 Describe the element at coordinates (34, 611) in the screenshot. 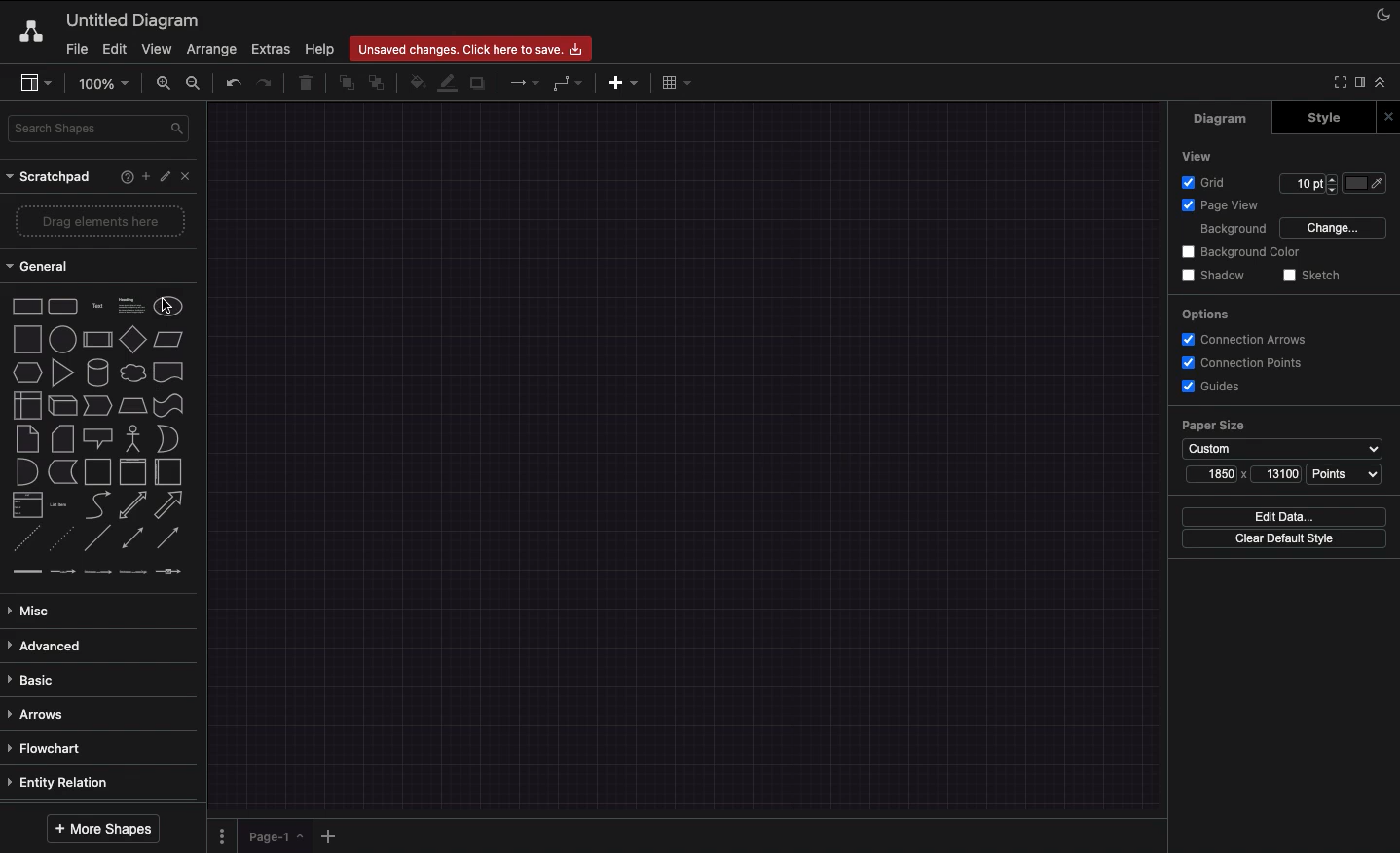

I see `Misc` at that location.